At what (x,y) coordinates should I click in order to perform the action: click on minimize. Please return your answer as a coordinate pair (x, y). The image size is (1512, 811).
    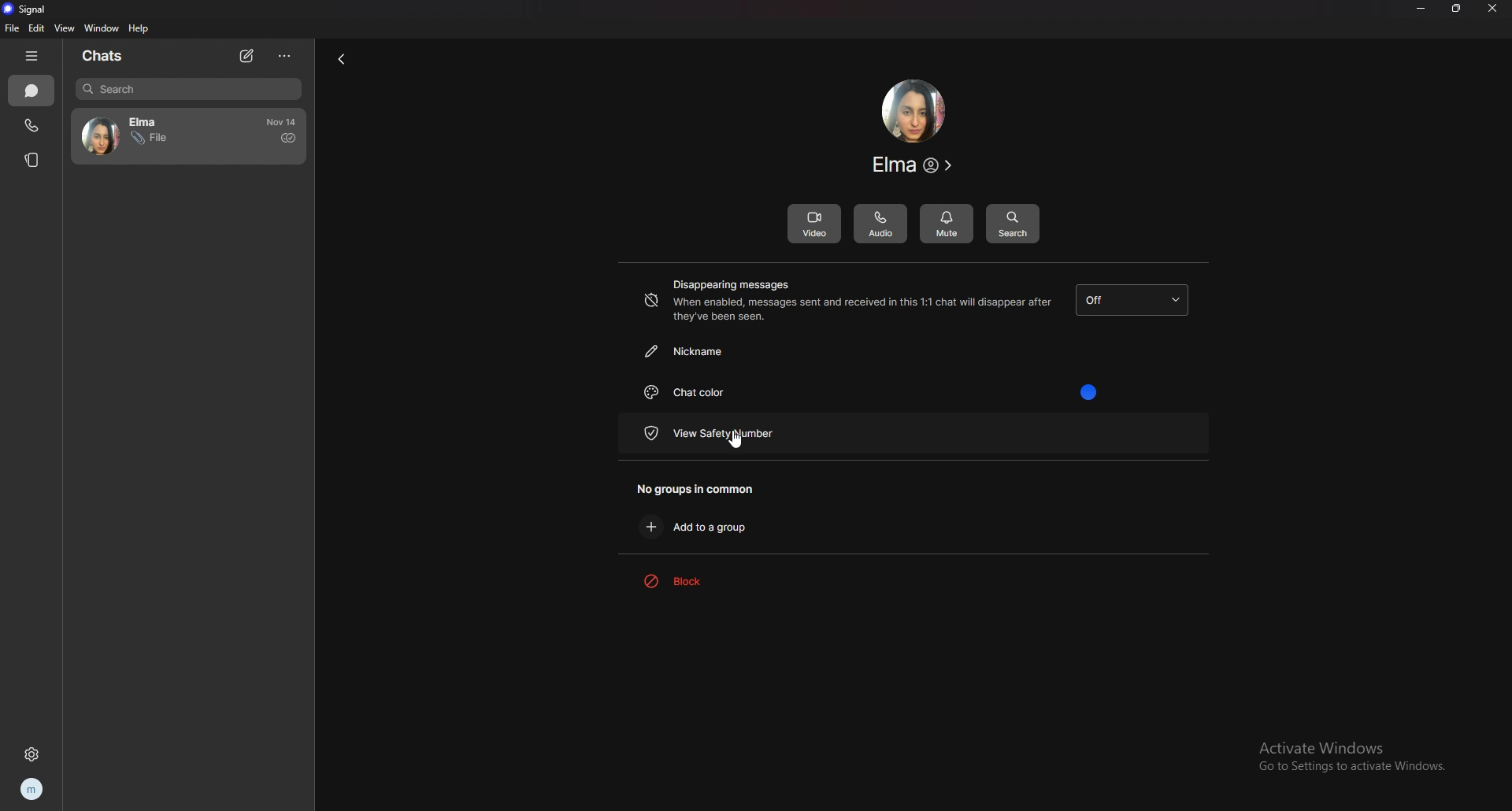
    Looking at the image, I should click on (1421, 8).